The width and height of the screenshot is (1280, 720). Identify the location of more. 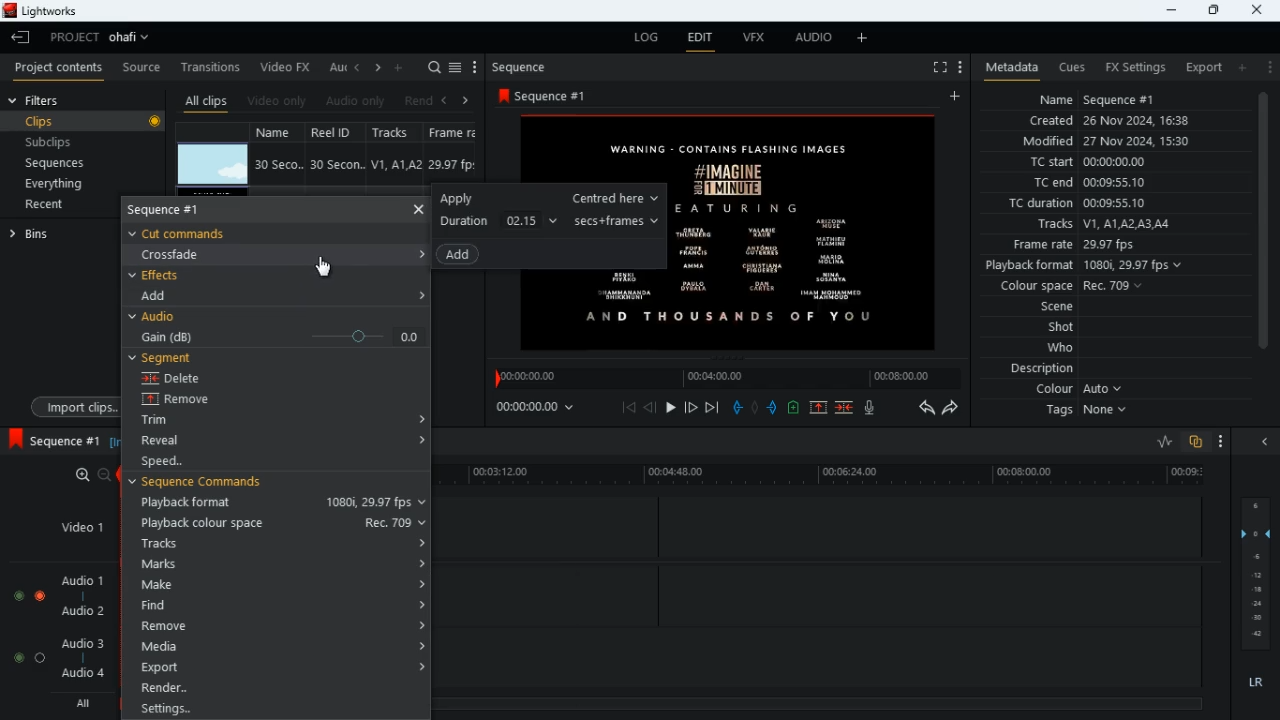
(958, 66).